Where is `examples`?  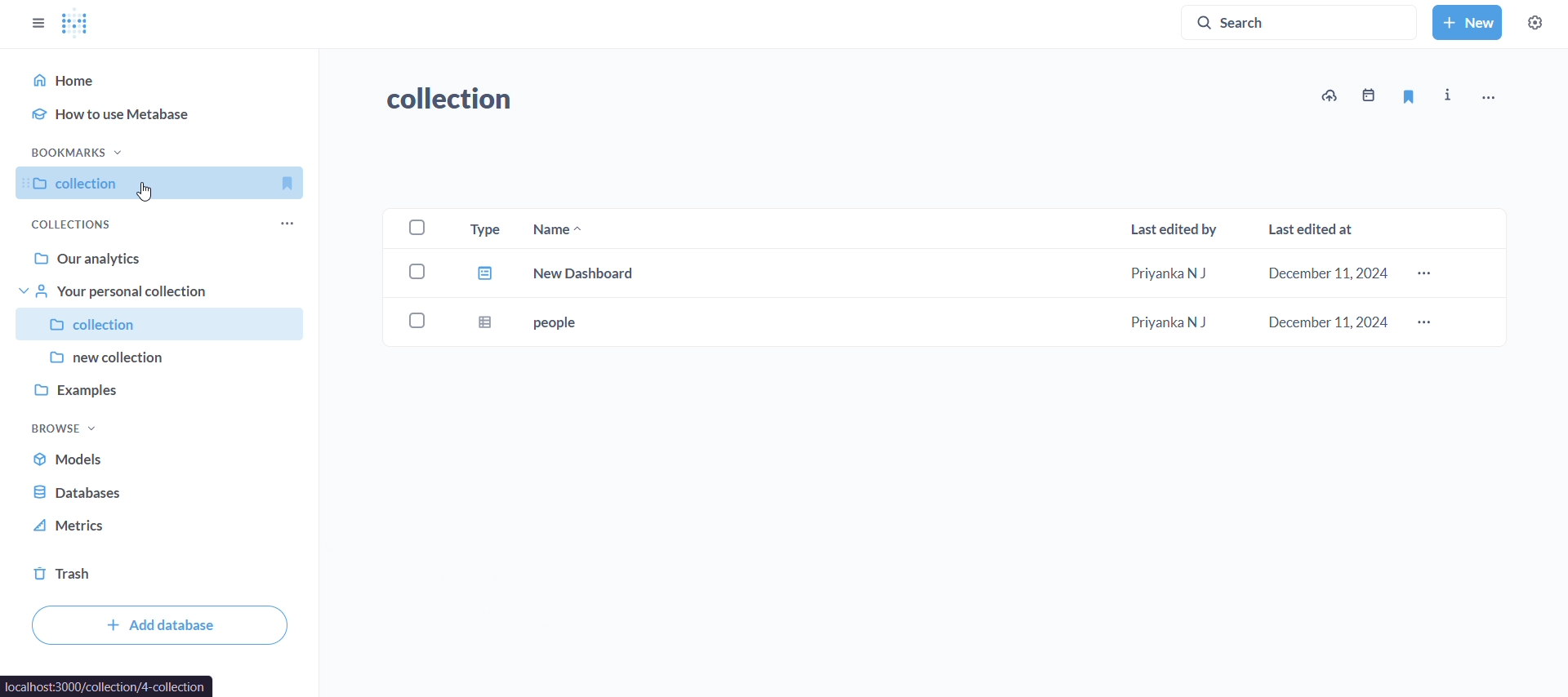
examples is located at coordinates (157, 390).